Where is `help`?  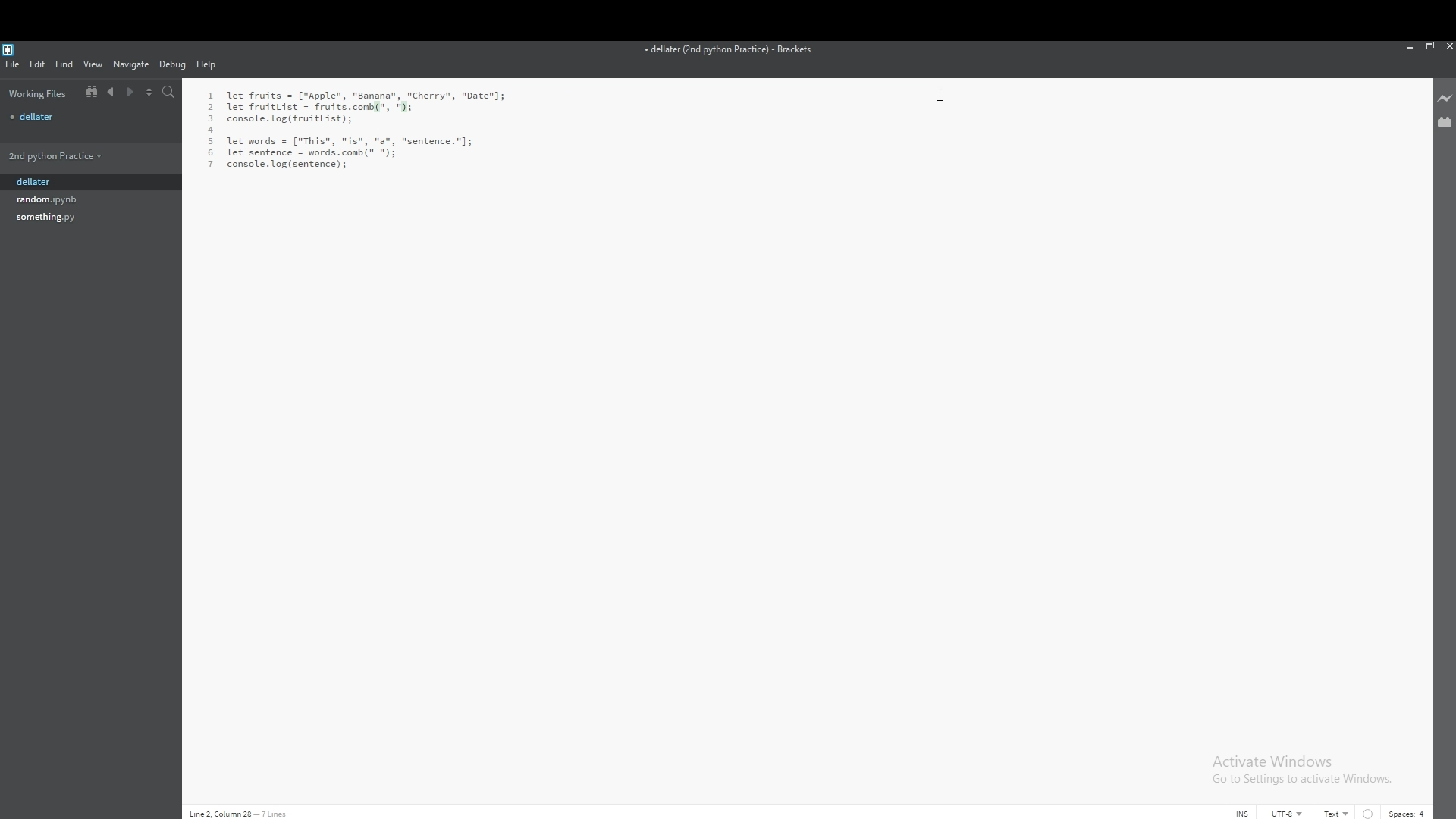 help is located at coordinates (208, 65).